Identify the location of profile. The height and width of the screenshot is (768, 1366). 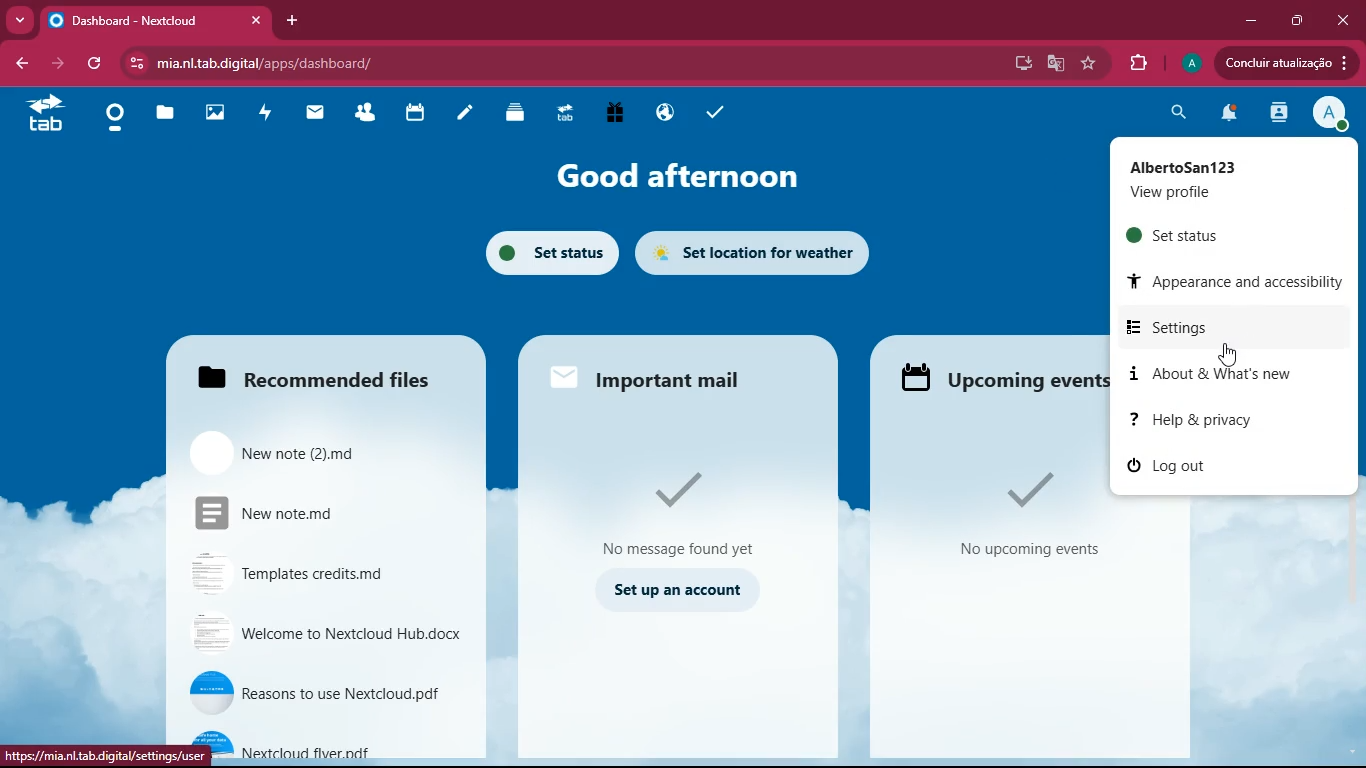
(1191, 65).